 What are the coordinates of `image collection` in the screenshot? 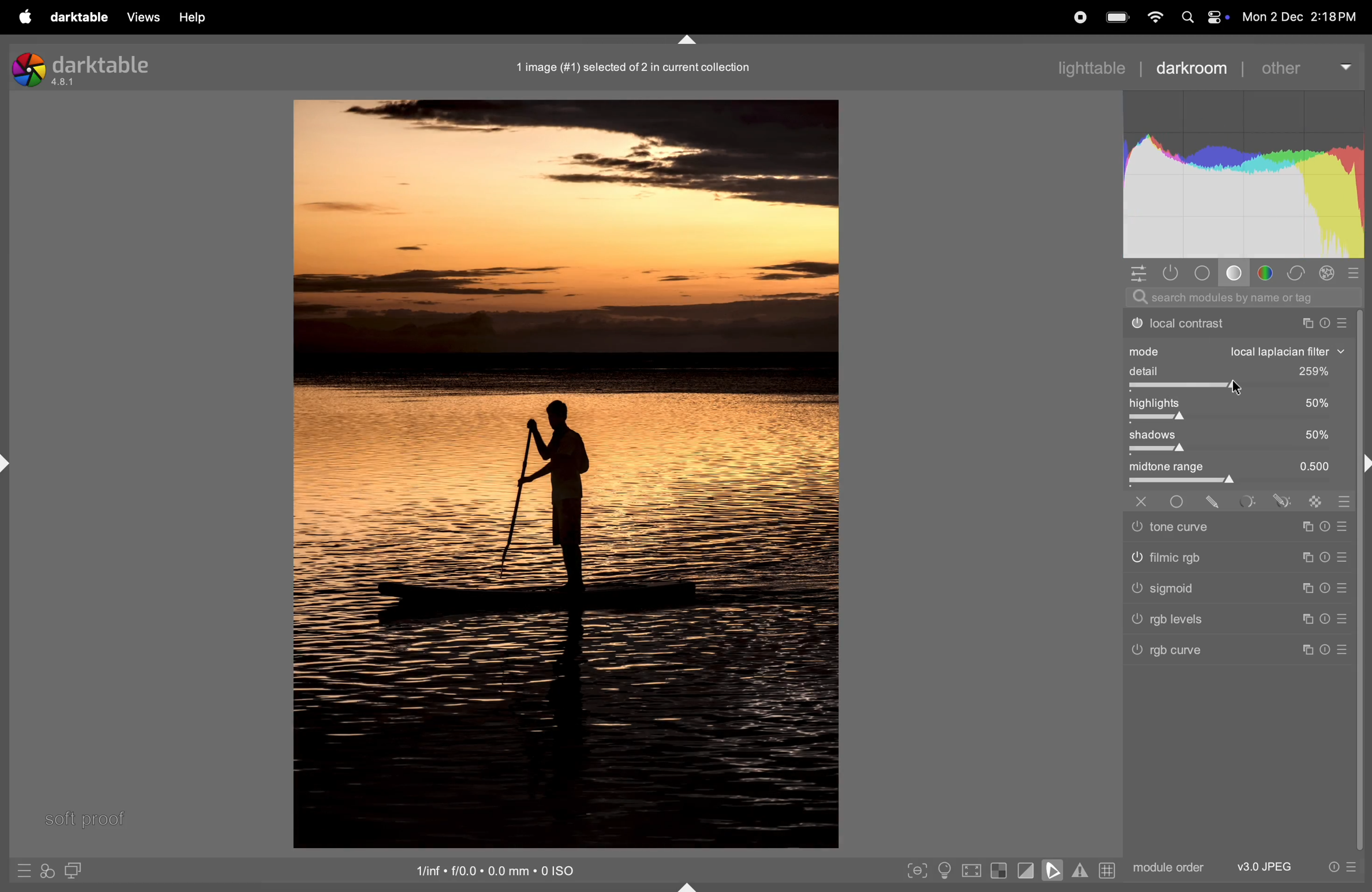 It's located at (634, 67).